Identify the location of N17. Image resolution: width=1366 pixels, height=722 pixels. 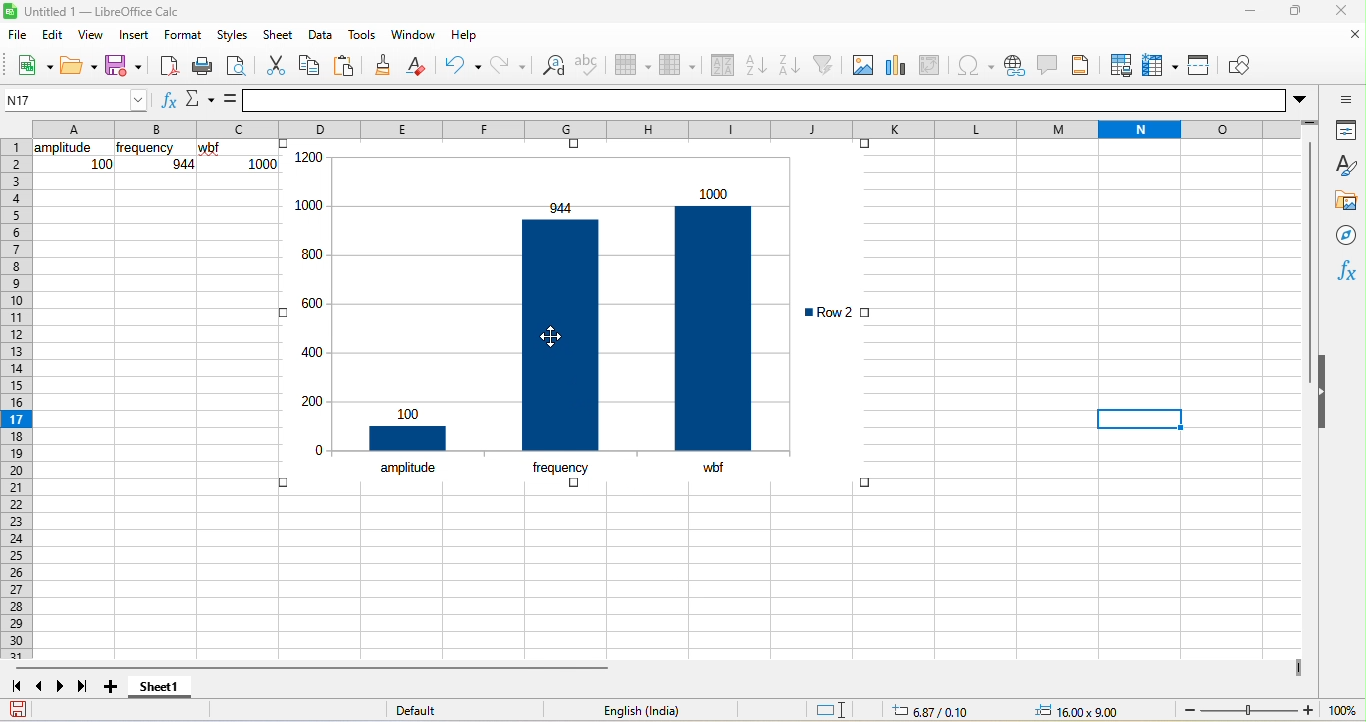
(73, 98).